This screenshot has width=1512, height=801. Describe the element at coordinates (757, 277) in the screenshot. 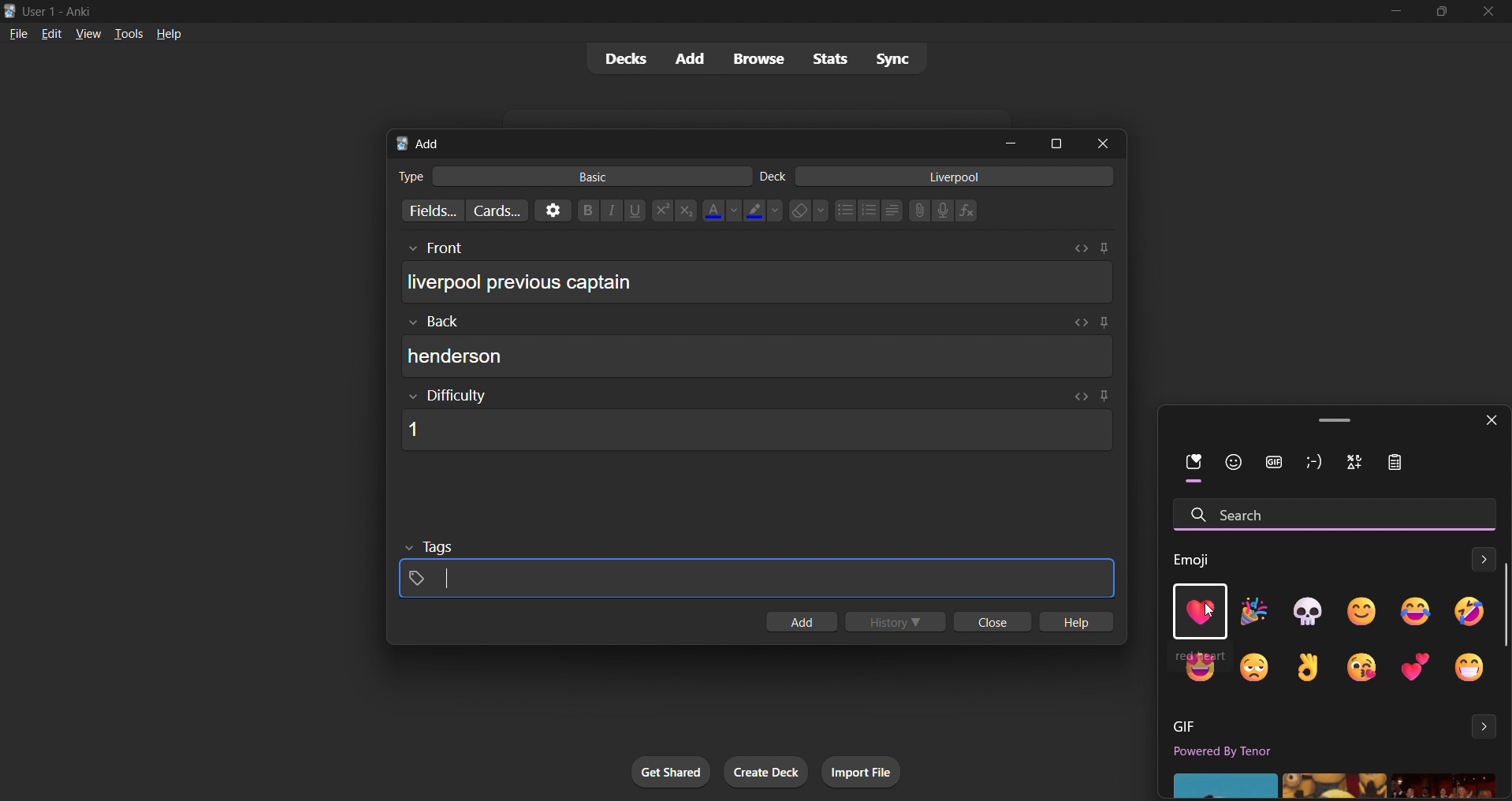

I see `card front input box` at that location.